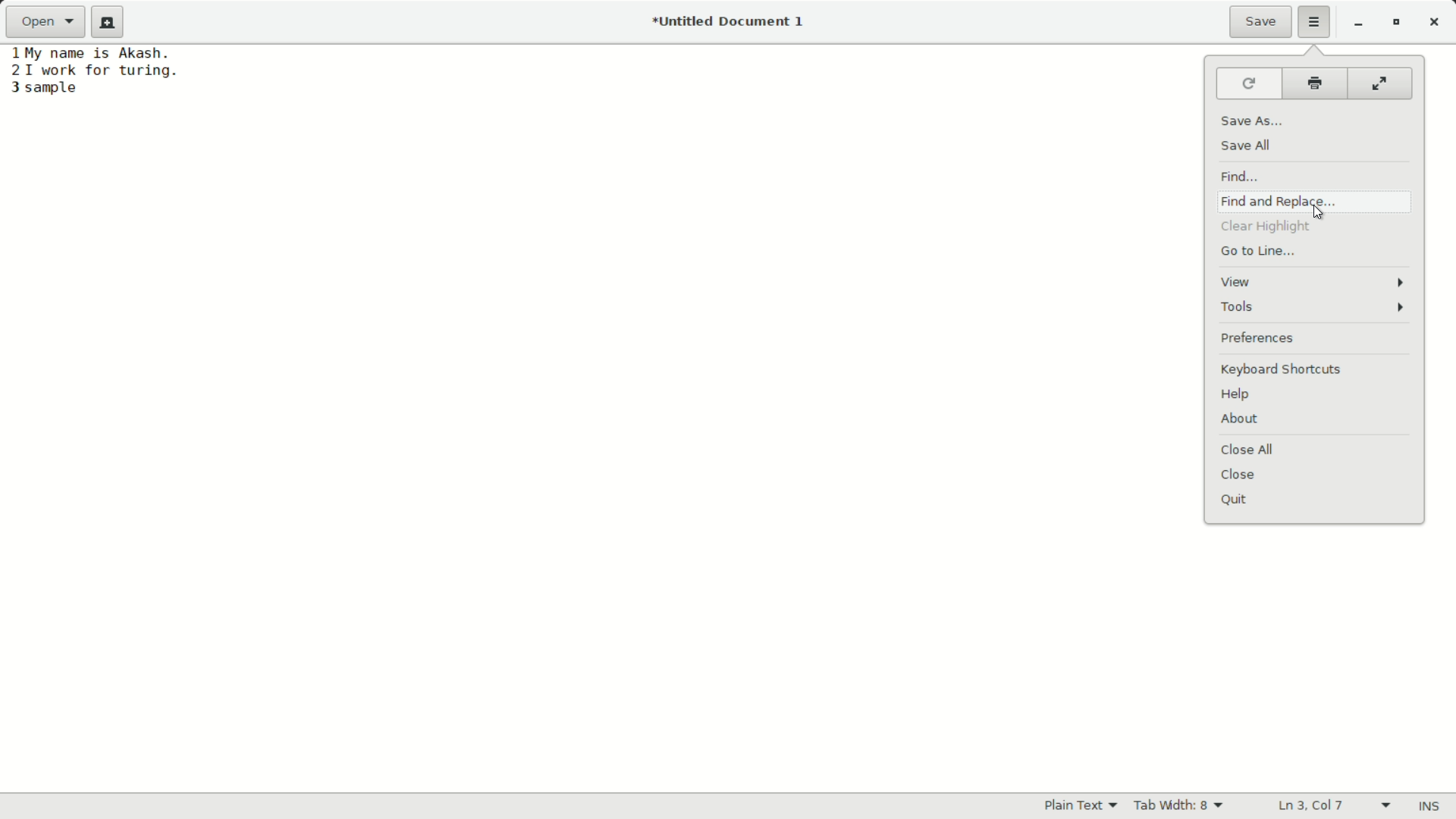 The height and width of the screenshot is (819, 1456). Describe the element at coordinates (1240, 475) in the screenshot. I see `close` at that location.